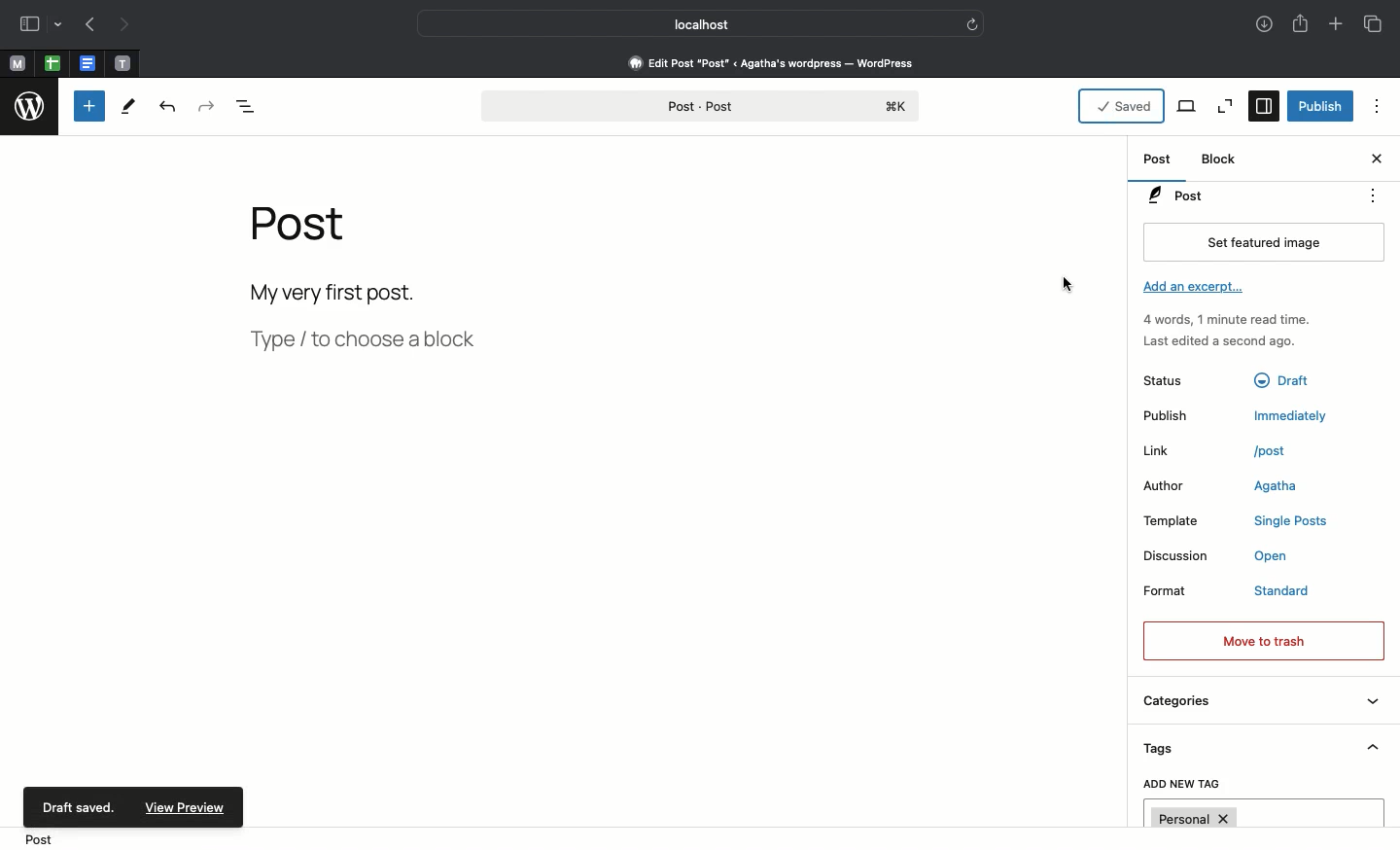 This screenshot has height=850, width=1400. I want to click on Share, so click(1300, 25).